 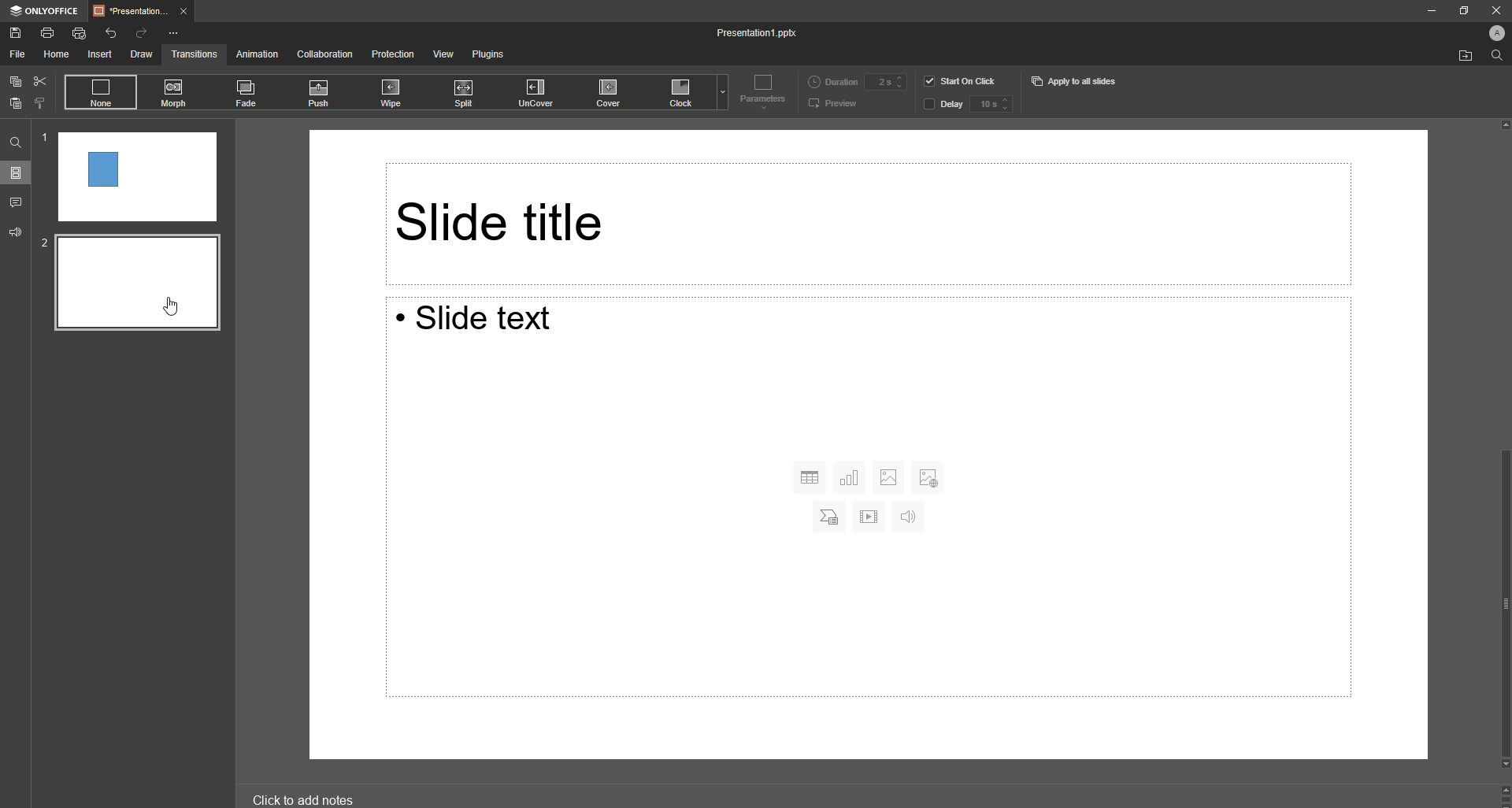 What do you see at coordinates (719, 95) in the screenshot?
I see `Drop down menu` at bounding box center [719, 95].